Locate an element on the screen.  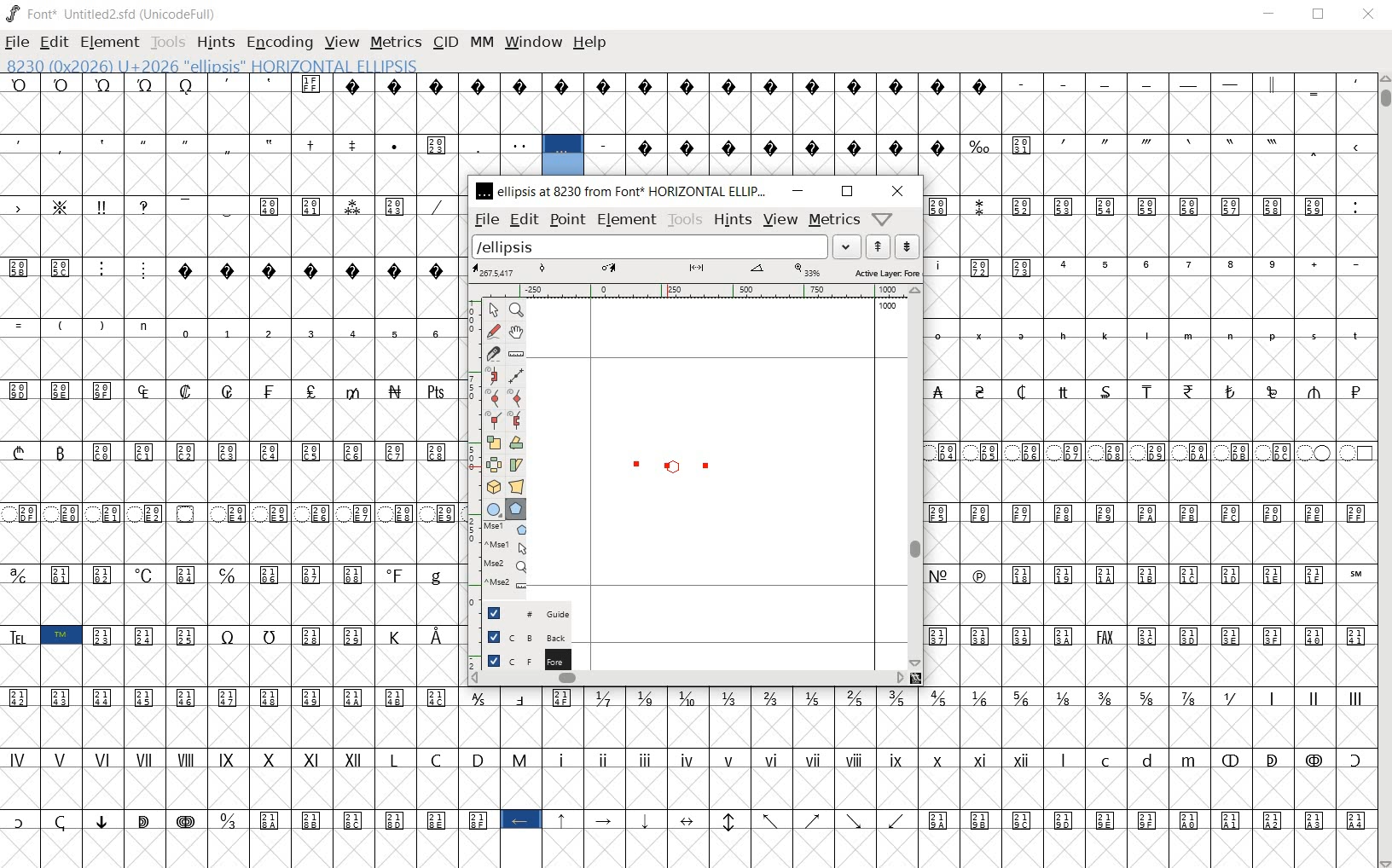
ELEMENT is located at coordinates (112, 42).